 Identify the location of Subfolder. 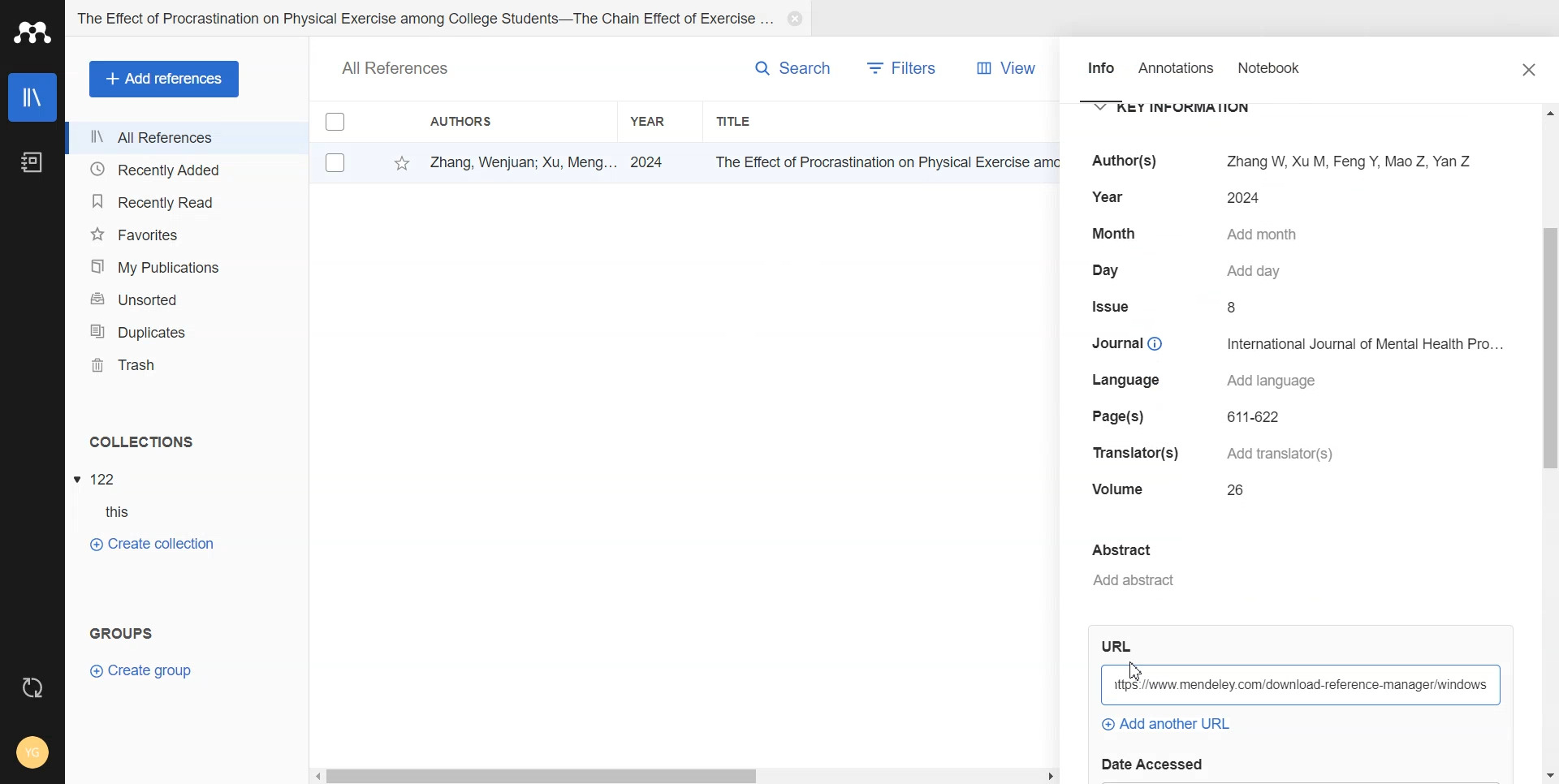
(110, 513).